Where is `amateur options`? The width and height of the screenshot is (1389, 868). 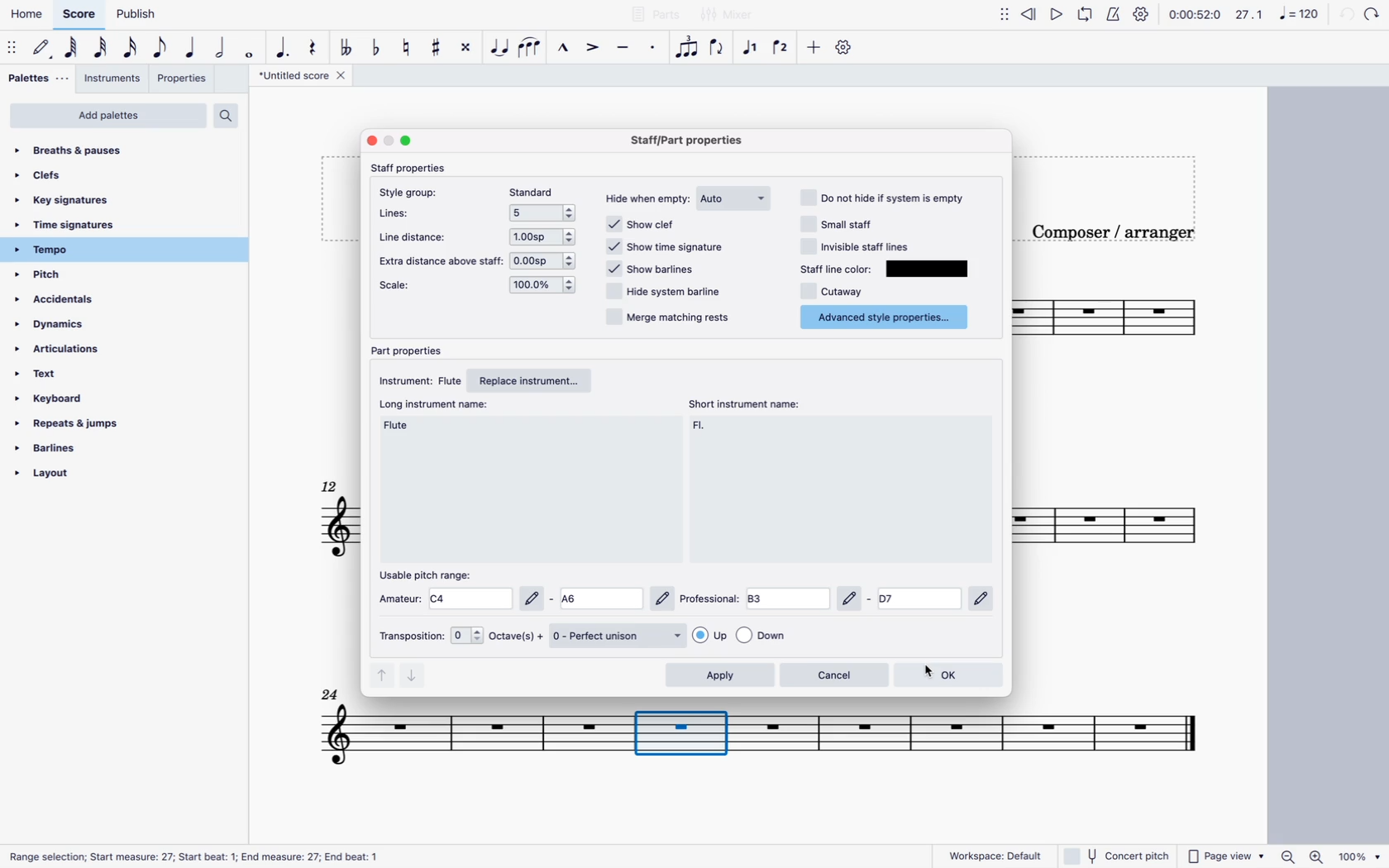 amateur options is located at coordinates (552, 599).